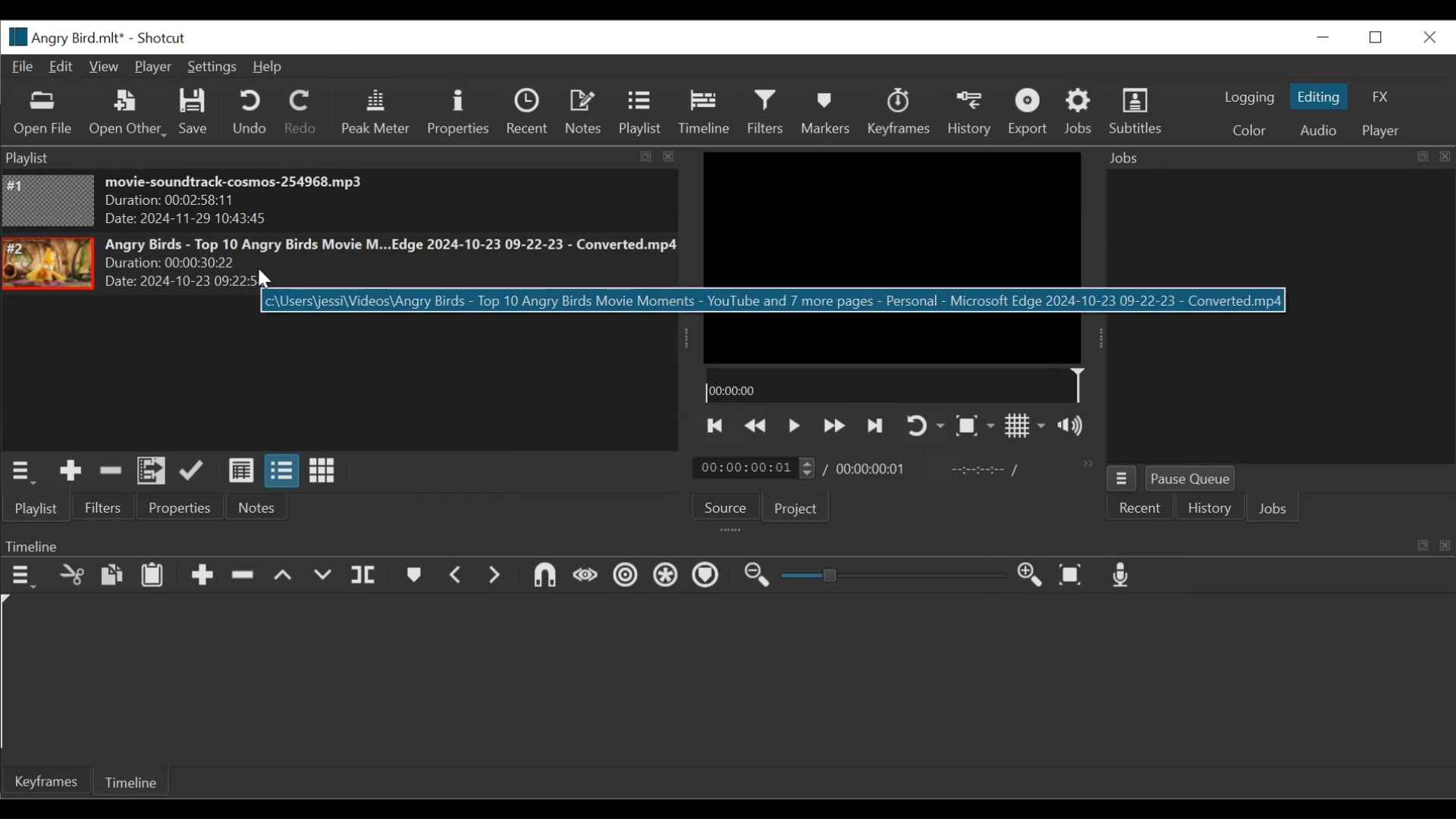  What do you see at coordinates (1122, 478) in the screenshot?
I see `Jobs Menu` at bounding box center [1122, 478].